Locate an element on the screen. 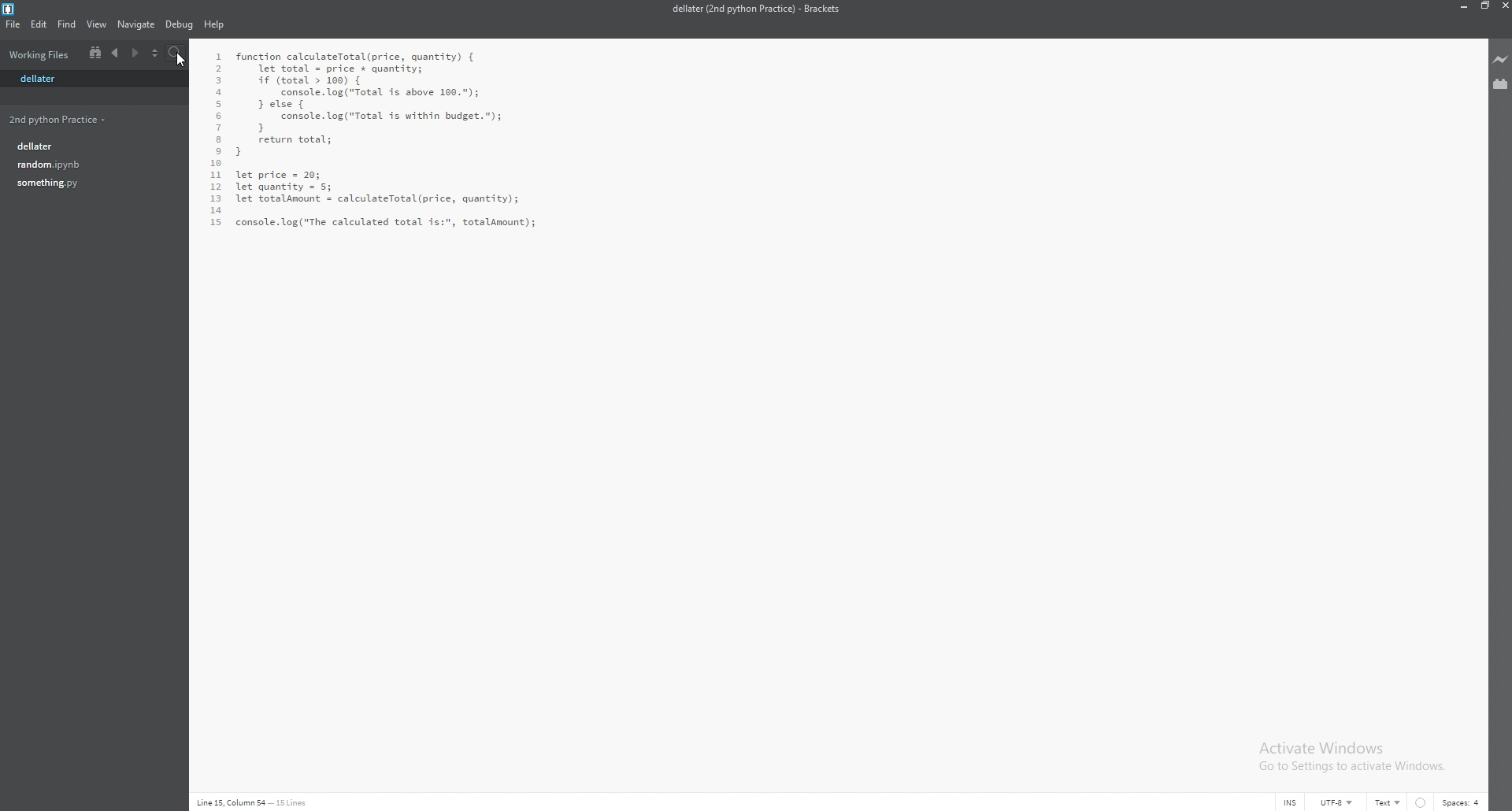  text is located at coordinates (1388, 802).